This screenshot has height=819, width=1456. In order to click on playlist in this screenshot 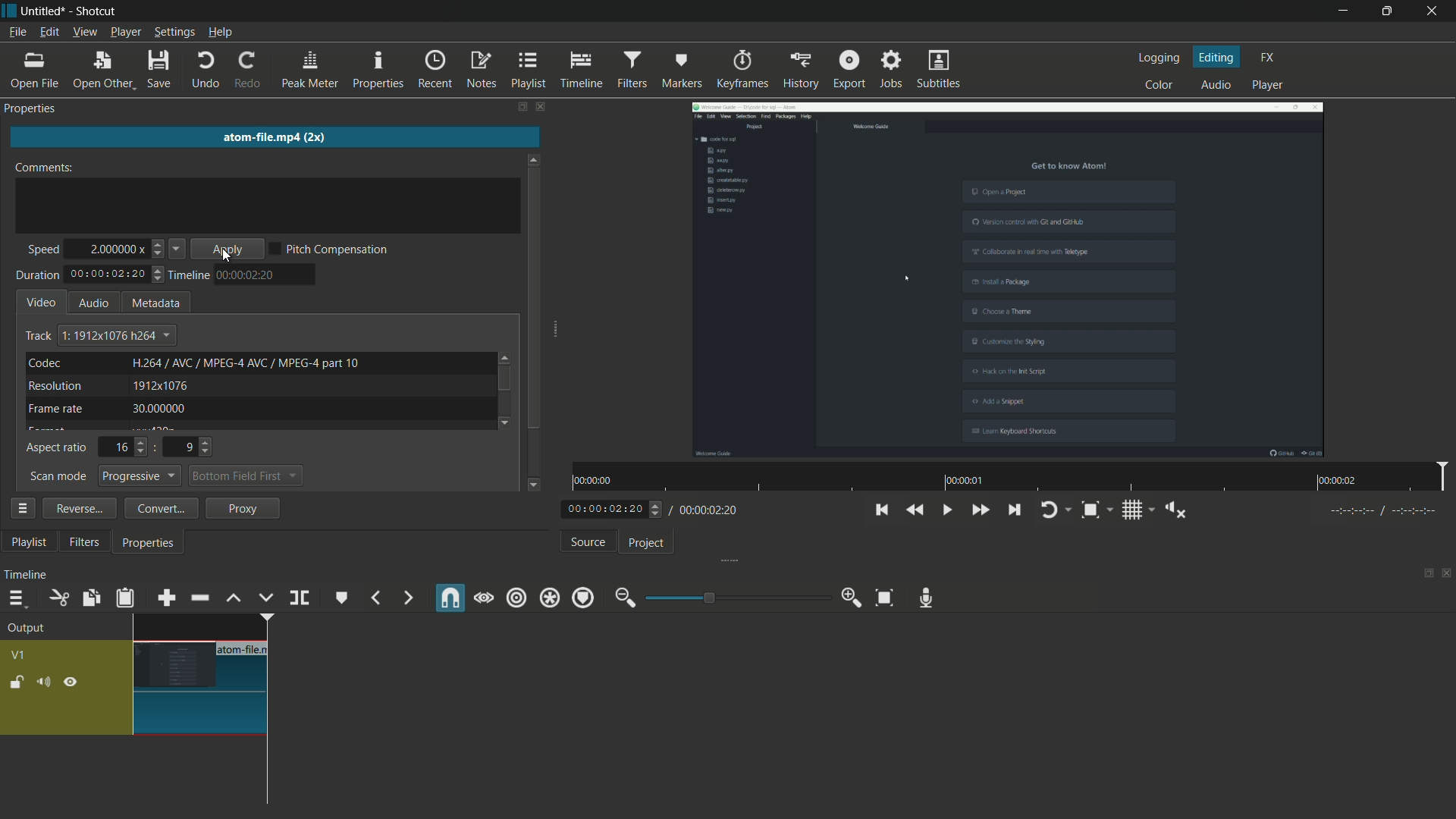, I will do `click(28, 542)`.